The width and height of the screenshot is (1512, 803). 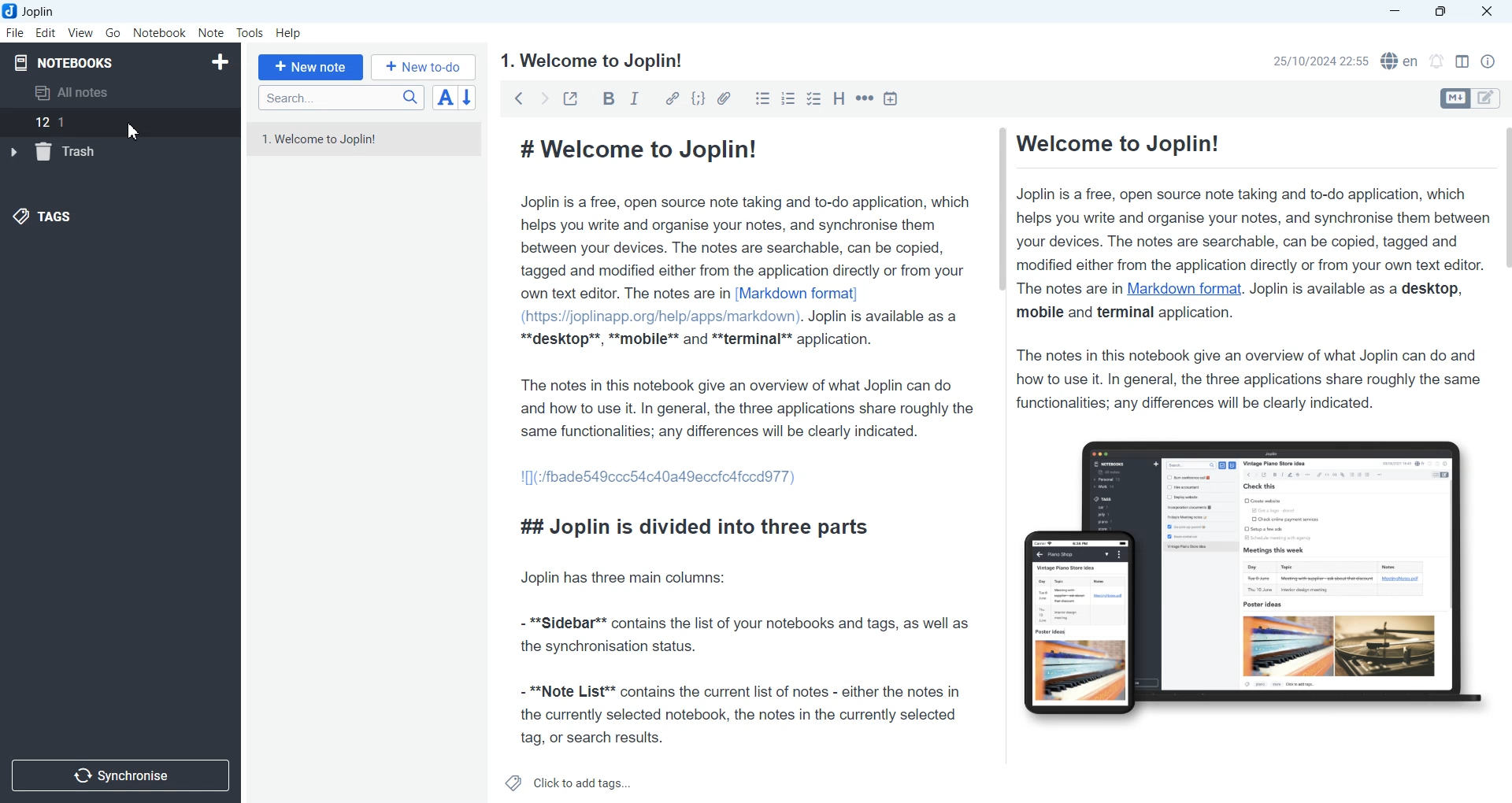 What do you see at coordinates (699, 98) in the screenshot?
I see `Code` at bounding box center [699, 98].